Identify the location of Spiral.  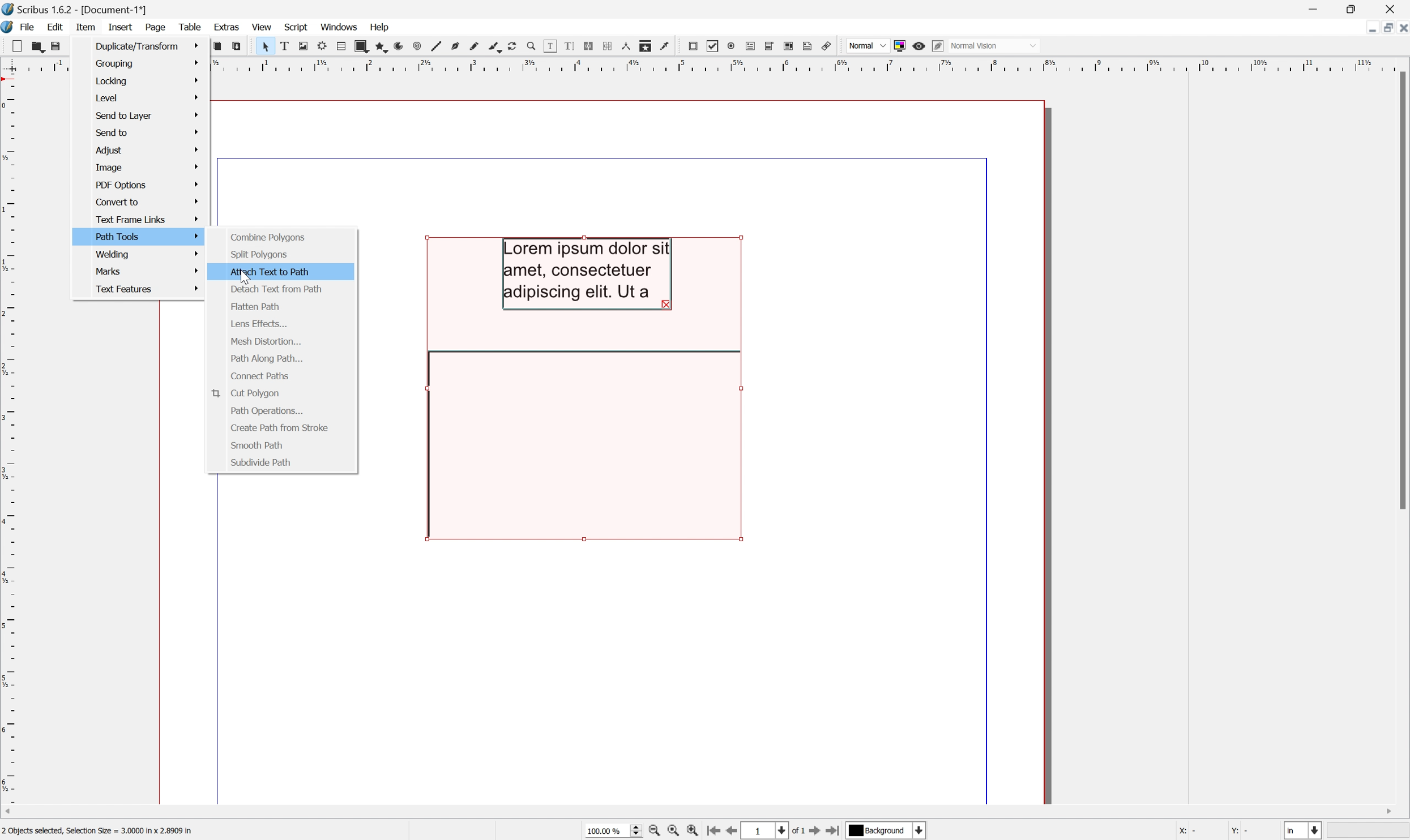
(417, 46).